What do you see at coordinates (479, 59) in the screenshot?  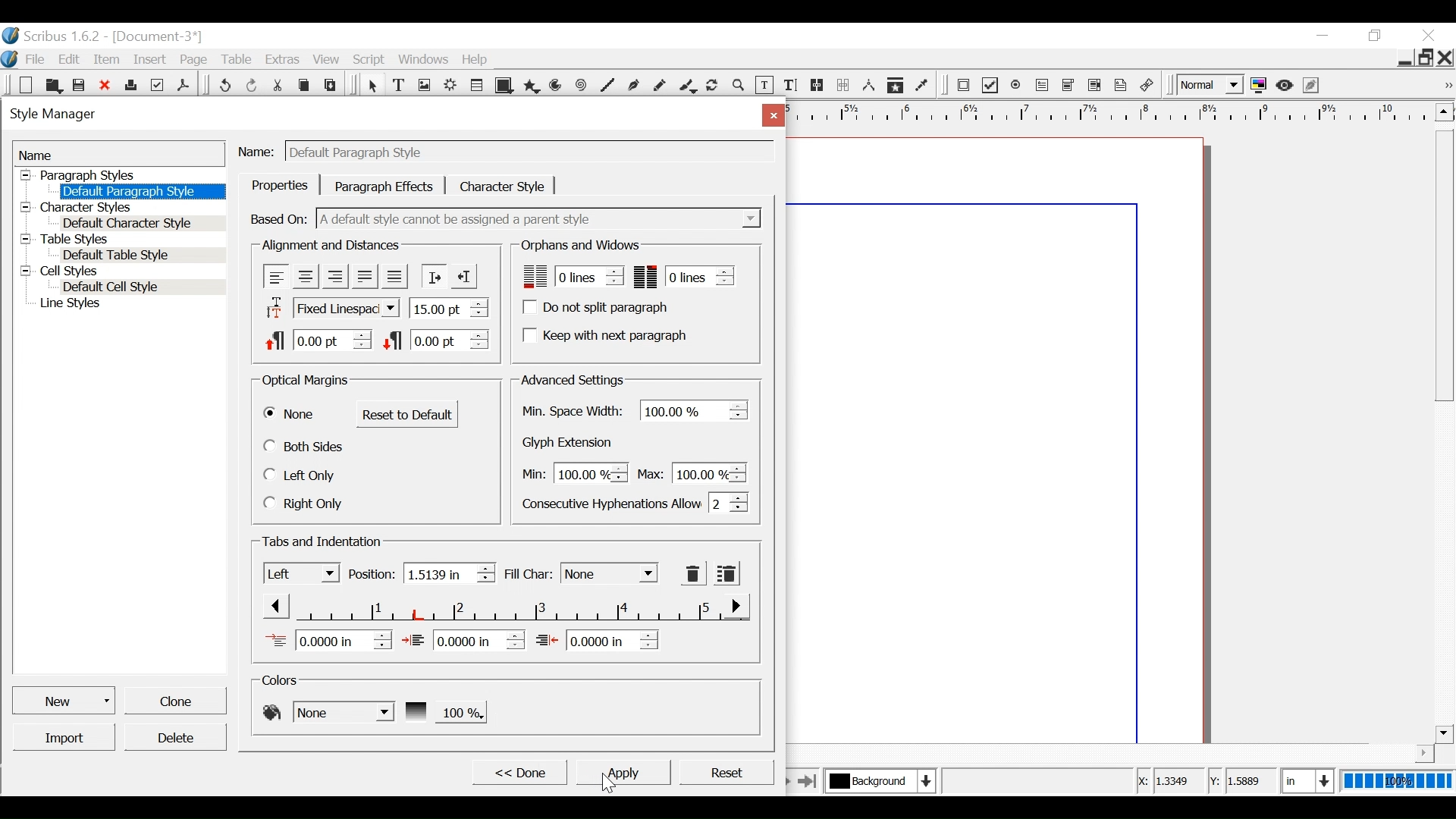 I see `Help` at bounding box center [479, 59].